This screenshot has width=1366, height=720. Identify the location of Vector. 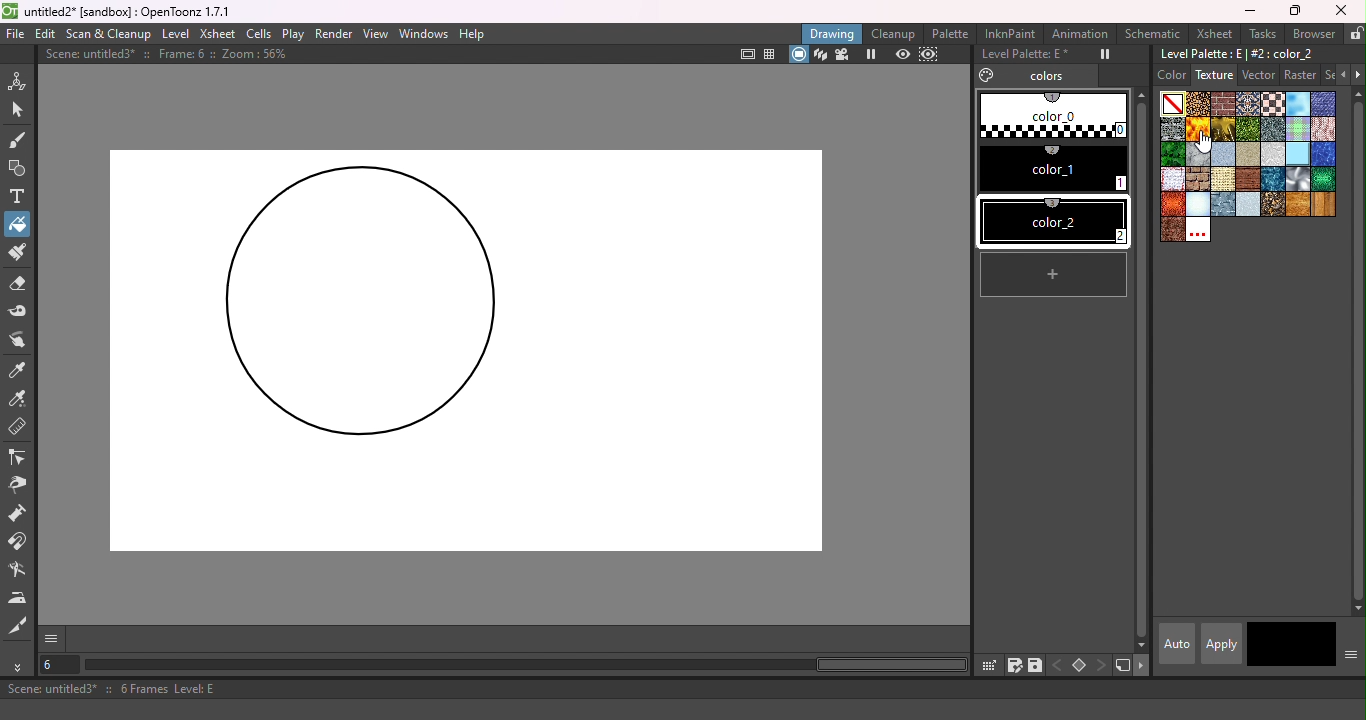
(1259, 75).